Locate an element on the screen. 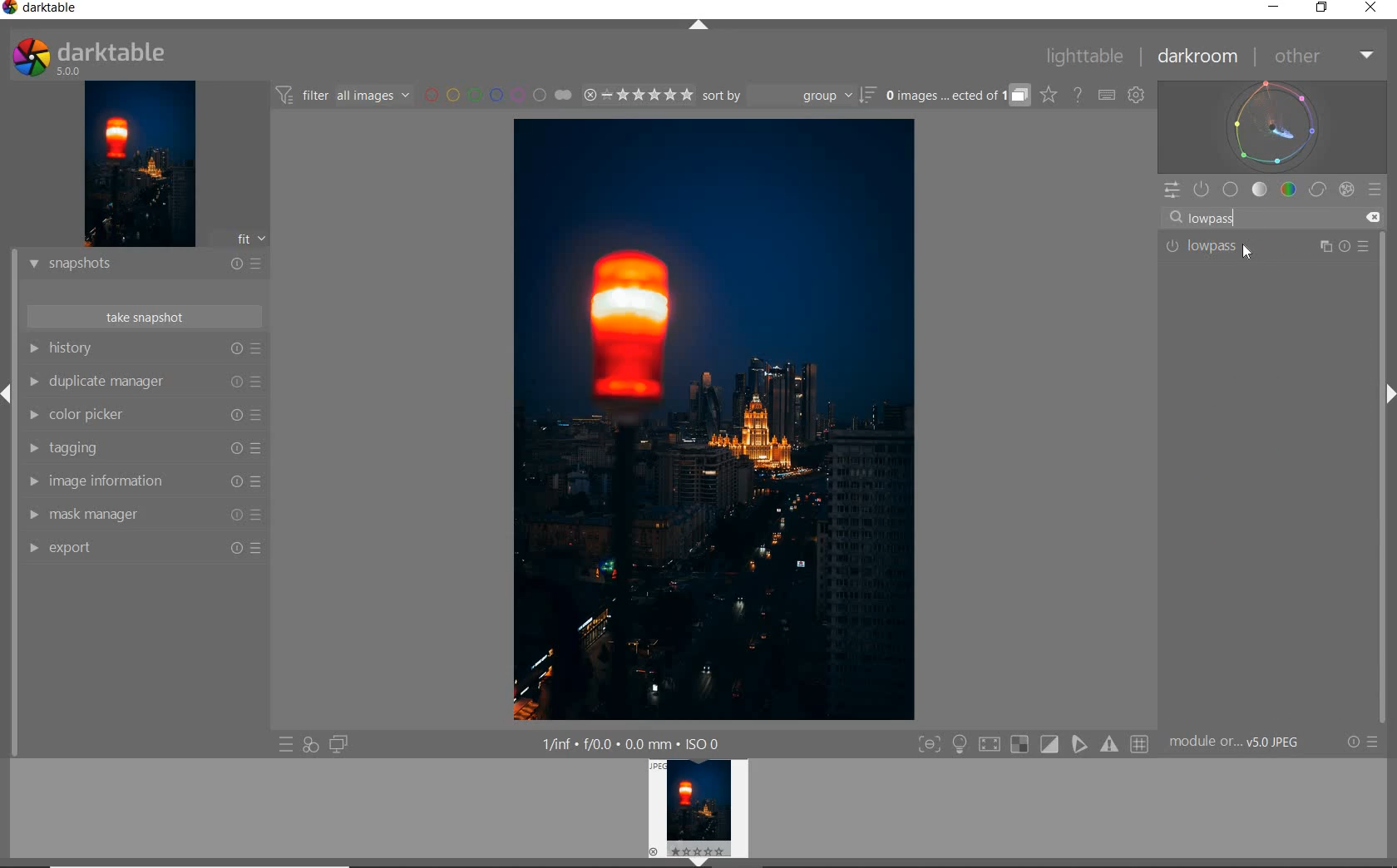 This screenshot has width=1397, height=868. RESET is located at coordinates (1355, 742).